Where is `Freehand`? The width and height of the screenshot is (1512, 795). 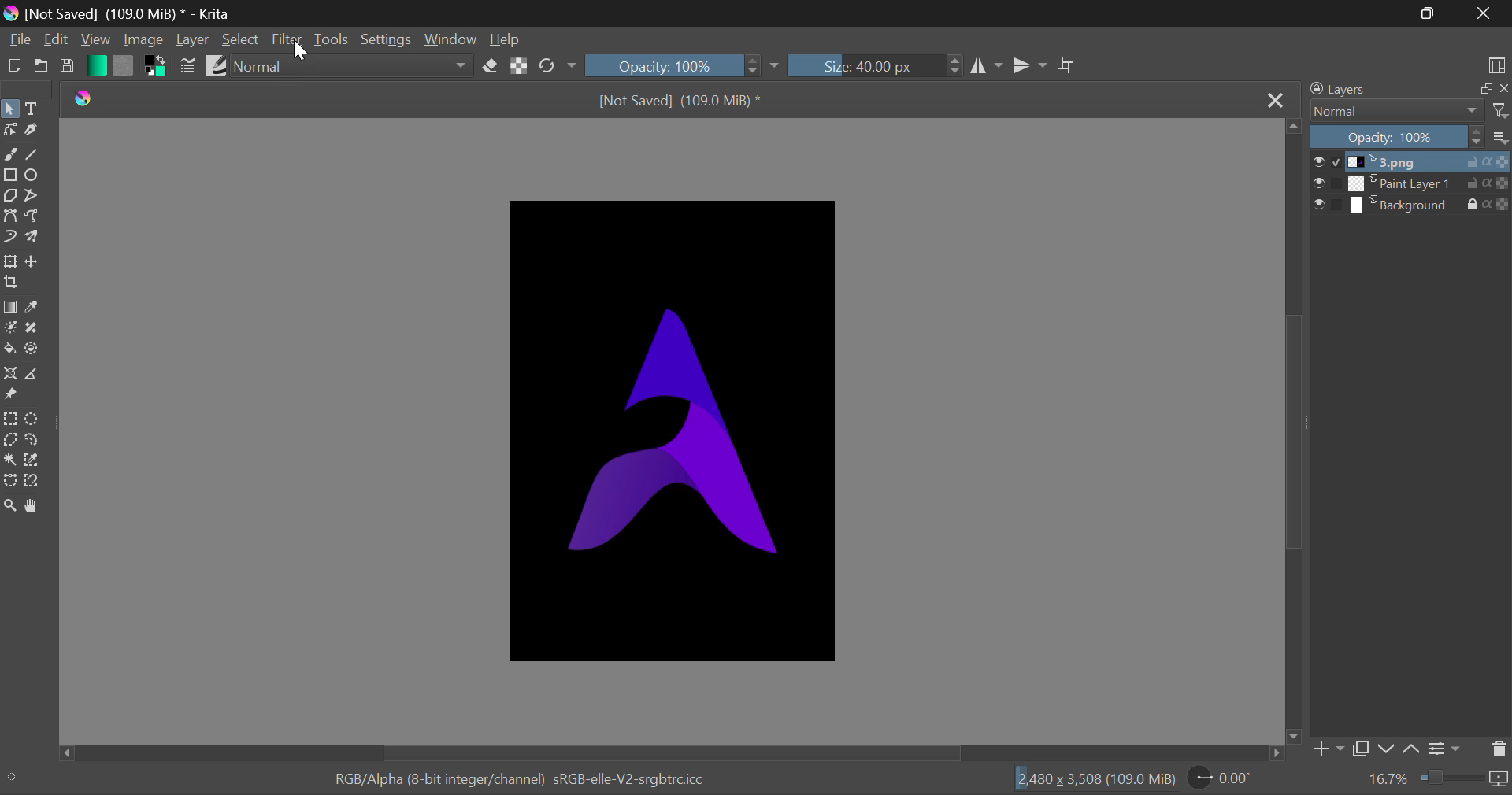
Freehand is located at coordinates (10, 154).